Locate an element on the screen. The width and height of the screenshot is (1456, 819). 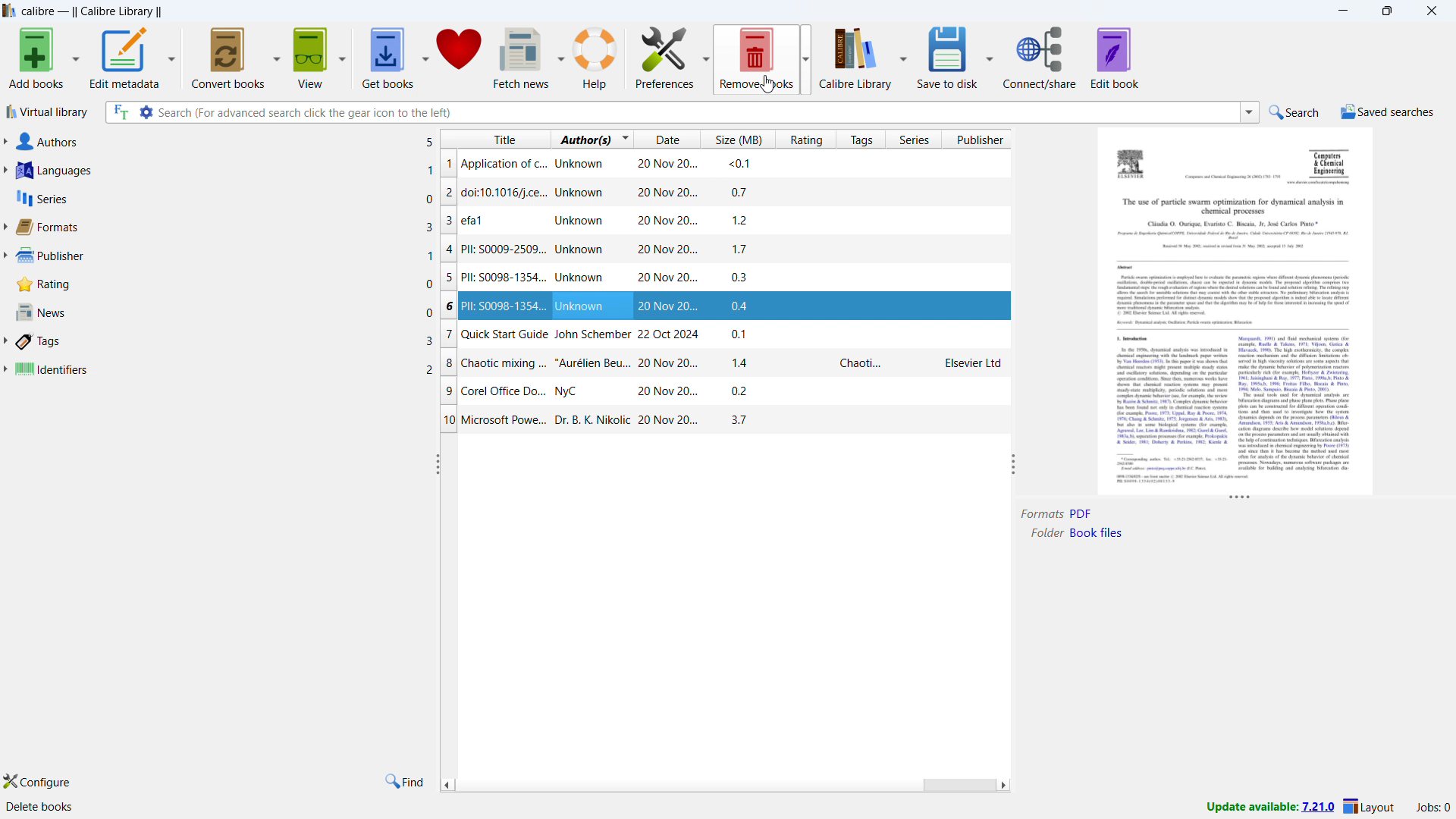
add books options is located at coordinates (76, 57).